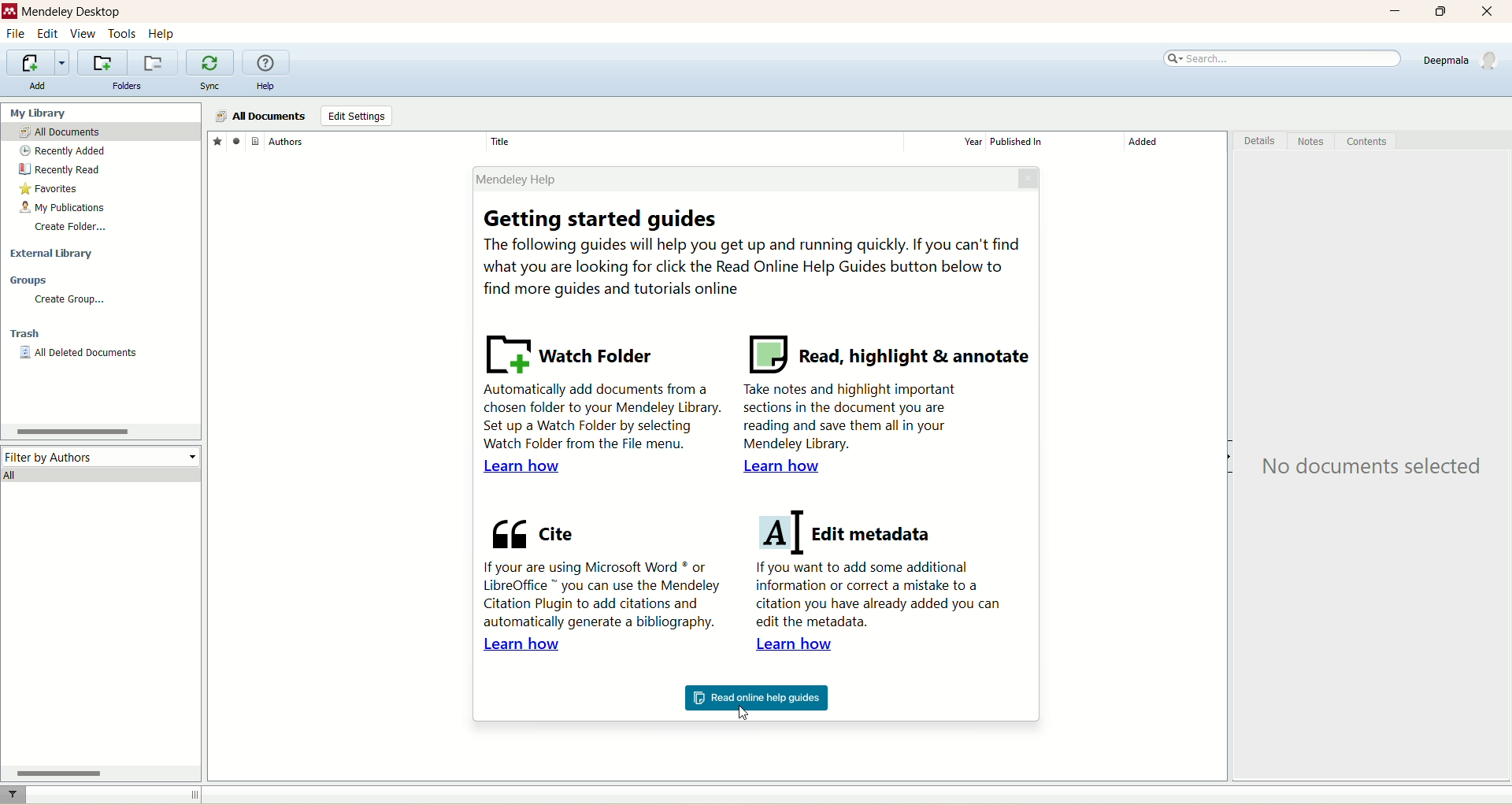  What do you see at coordinates (267, 86) in the screenshot?
I see `help` at bounding box center [267, 86].